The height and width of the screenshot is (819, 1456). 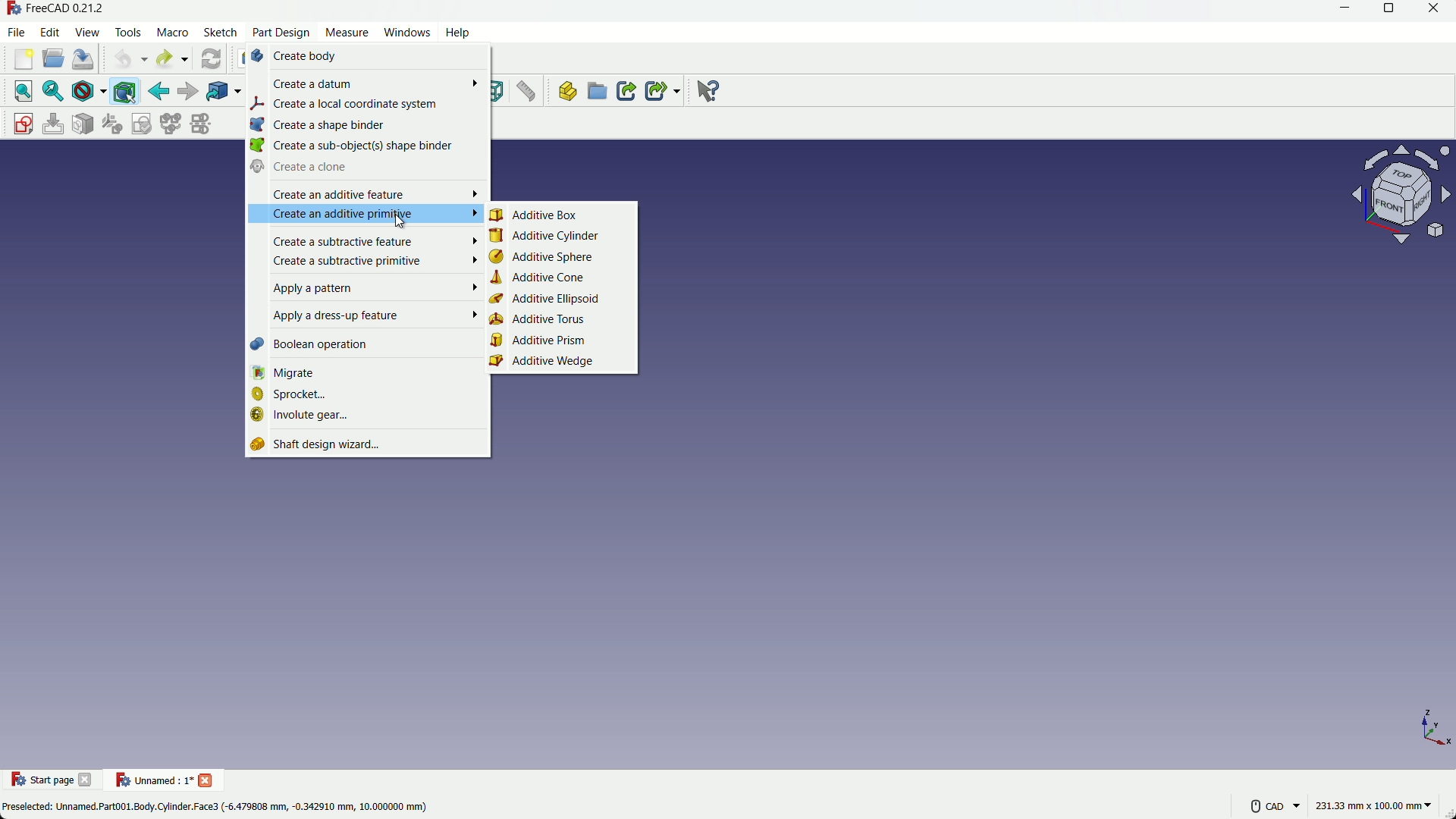 I want to click on Unnamed : 1*, so click(x=155, y=777).